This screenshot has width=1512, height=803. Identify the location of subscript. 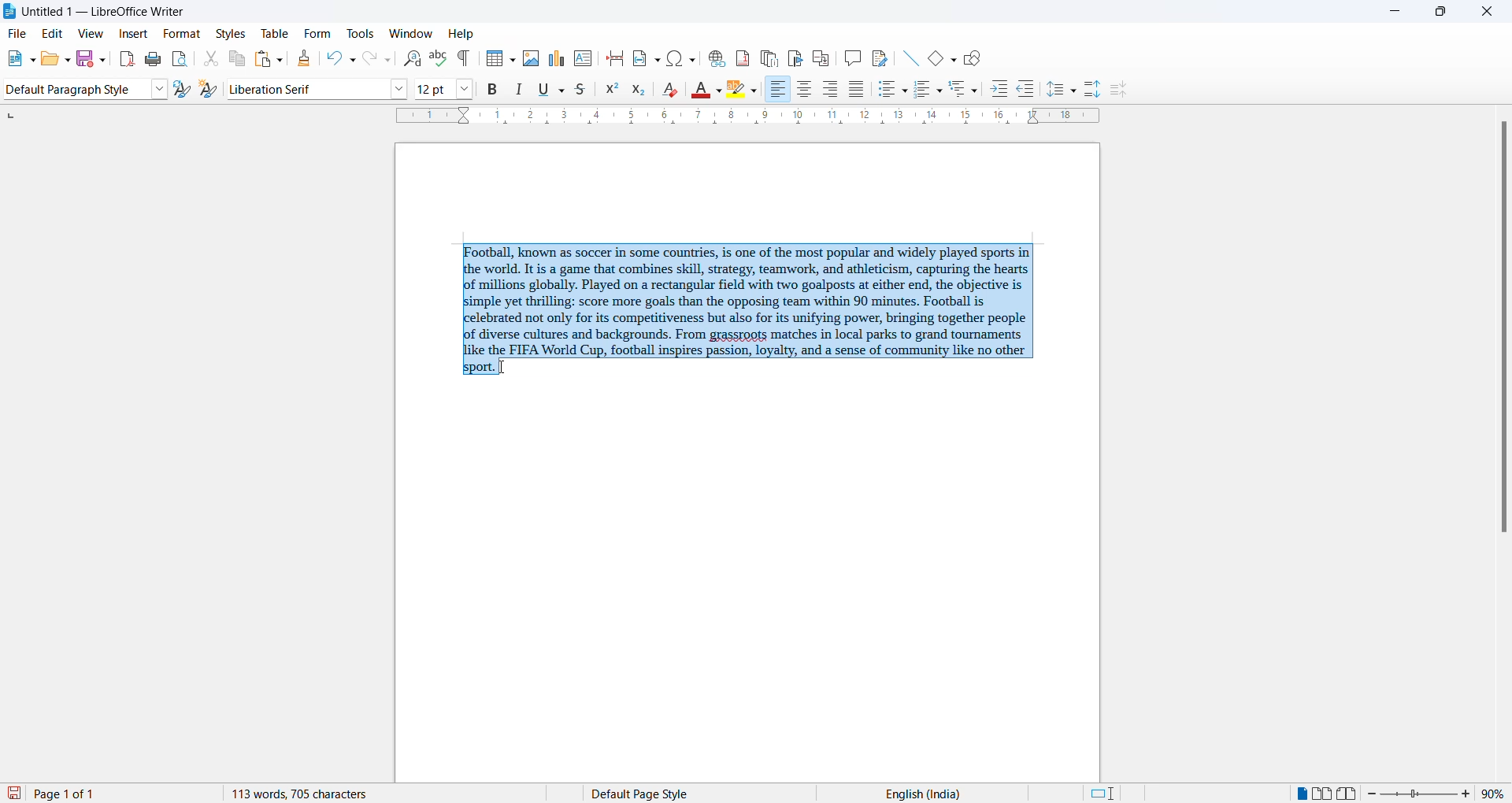
(637, 90).